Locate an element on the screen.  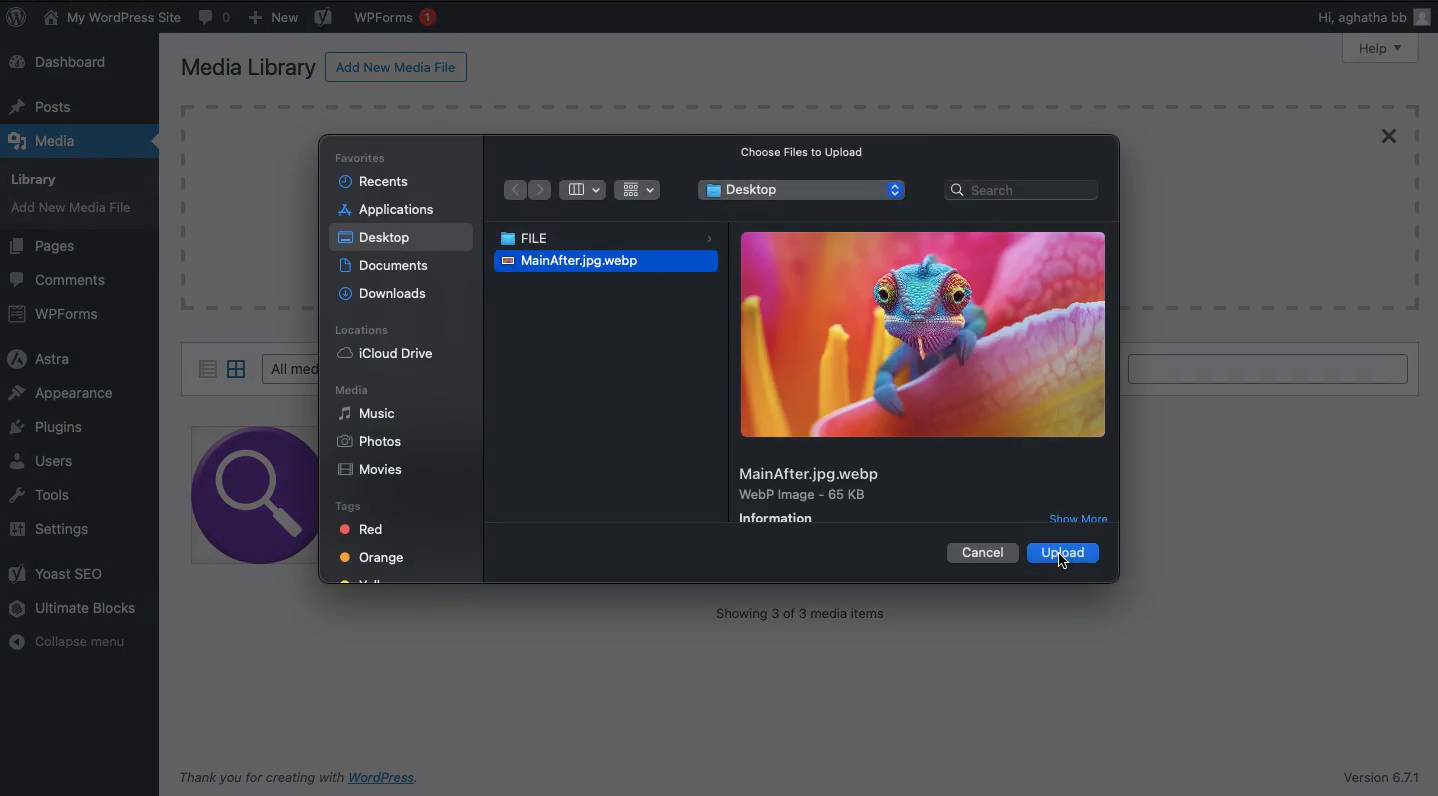
Upload is located at coordinates (1065, 552).